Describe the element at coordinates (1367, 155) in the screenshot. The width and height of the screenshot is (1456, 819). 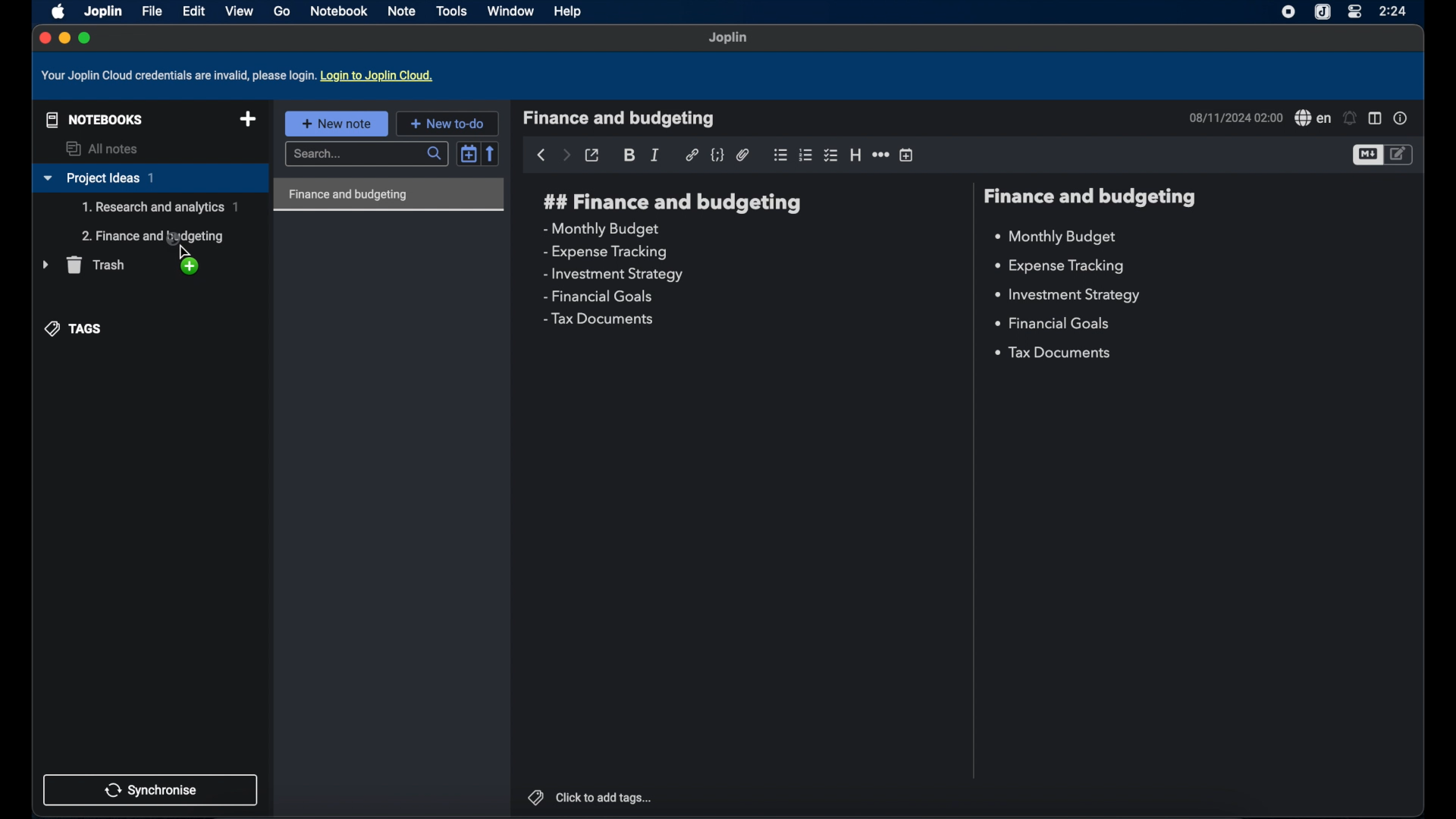
I see `toggle editor` at that location.